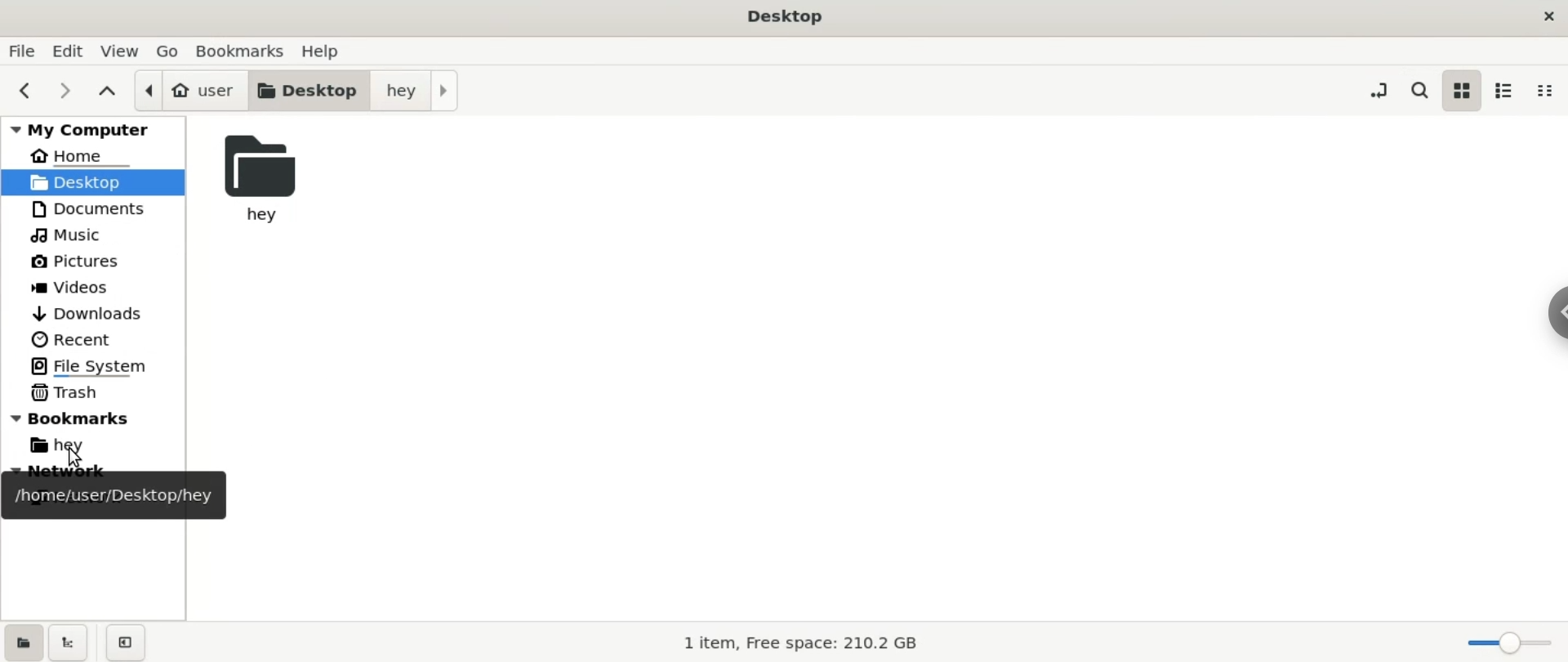  I want to click on location :/home/user/desktop/hey, so click(118, 494).